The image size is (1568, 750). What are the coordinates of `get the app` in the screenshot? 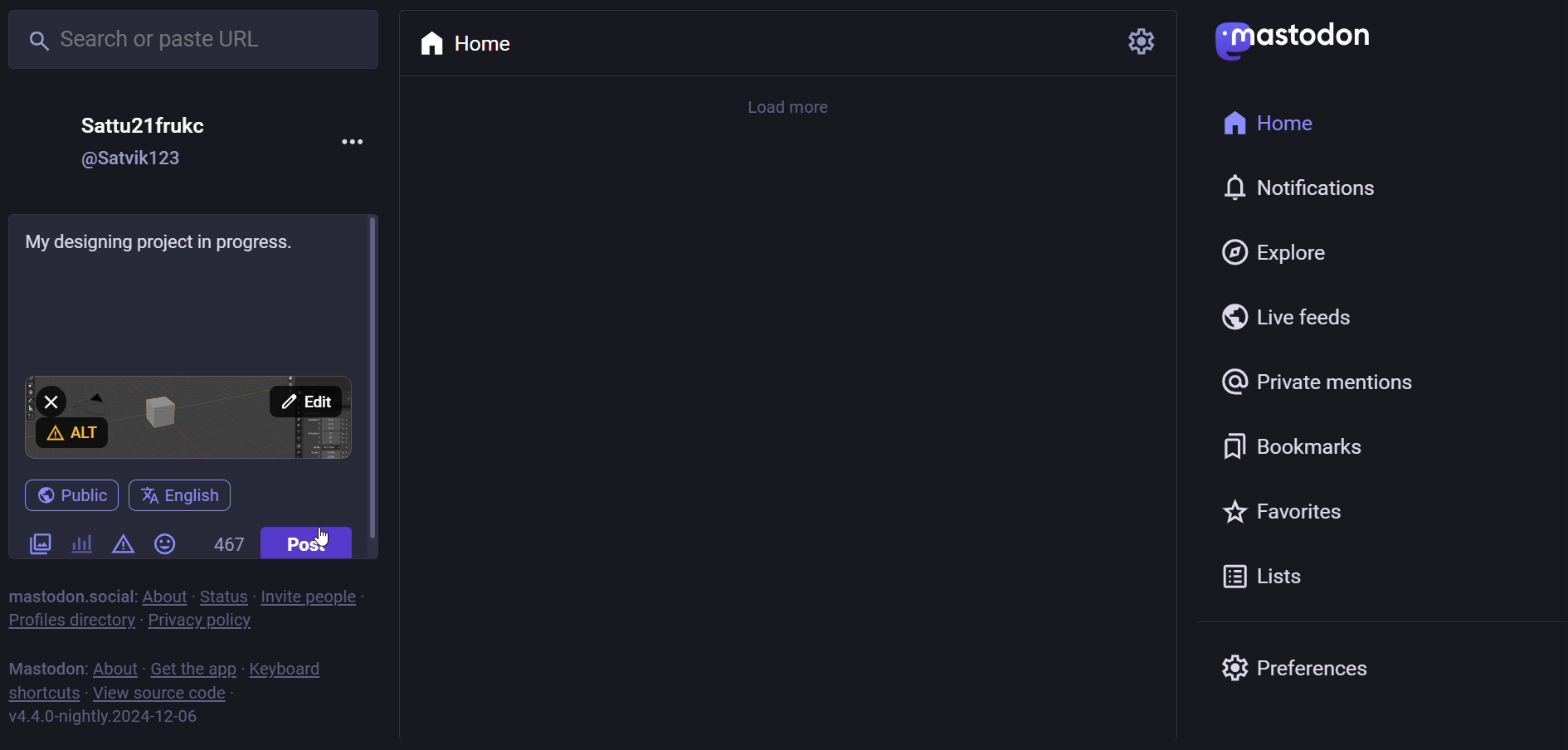 It's located at (194, 668).